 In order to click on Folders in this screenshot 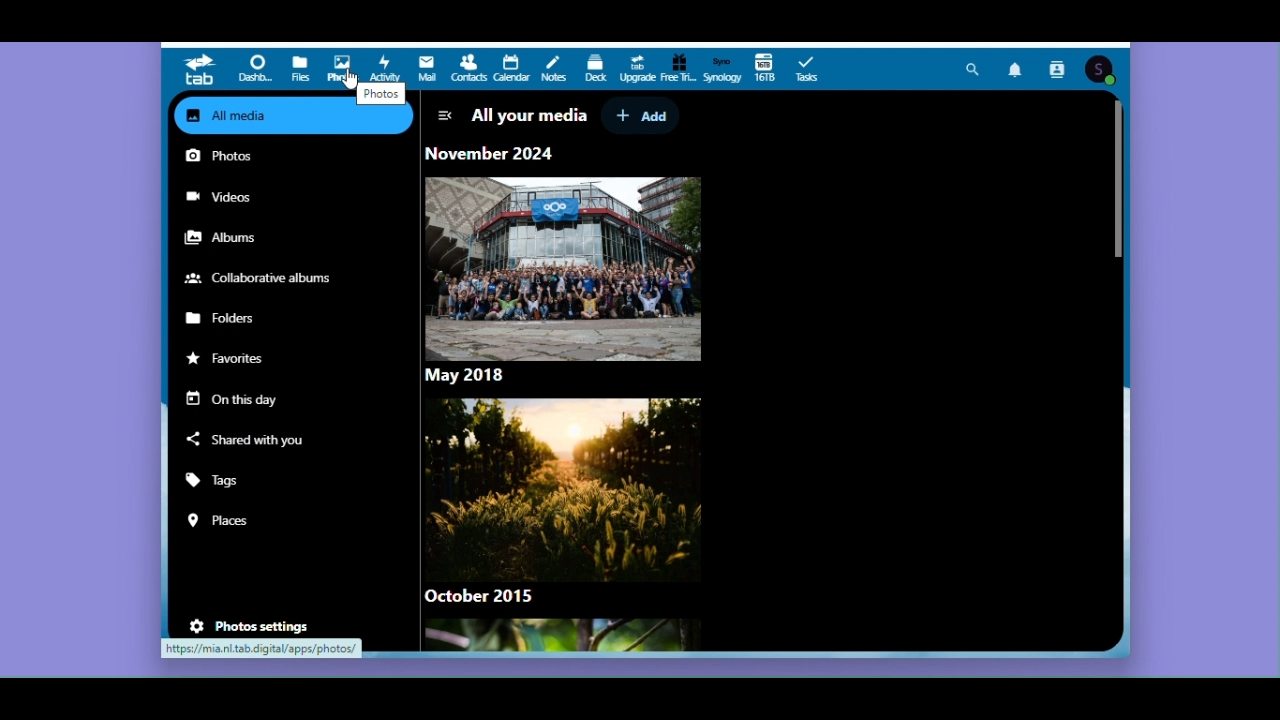, I will do `click(228, 319)`.